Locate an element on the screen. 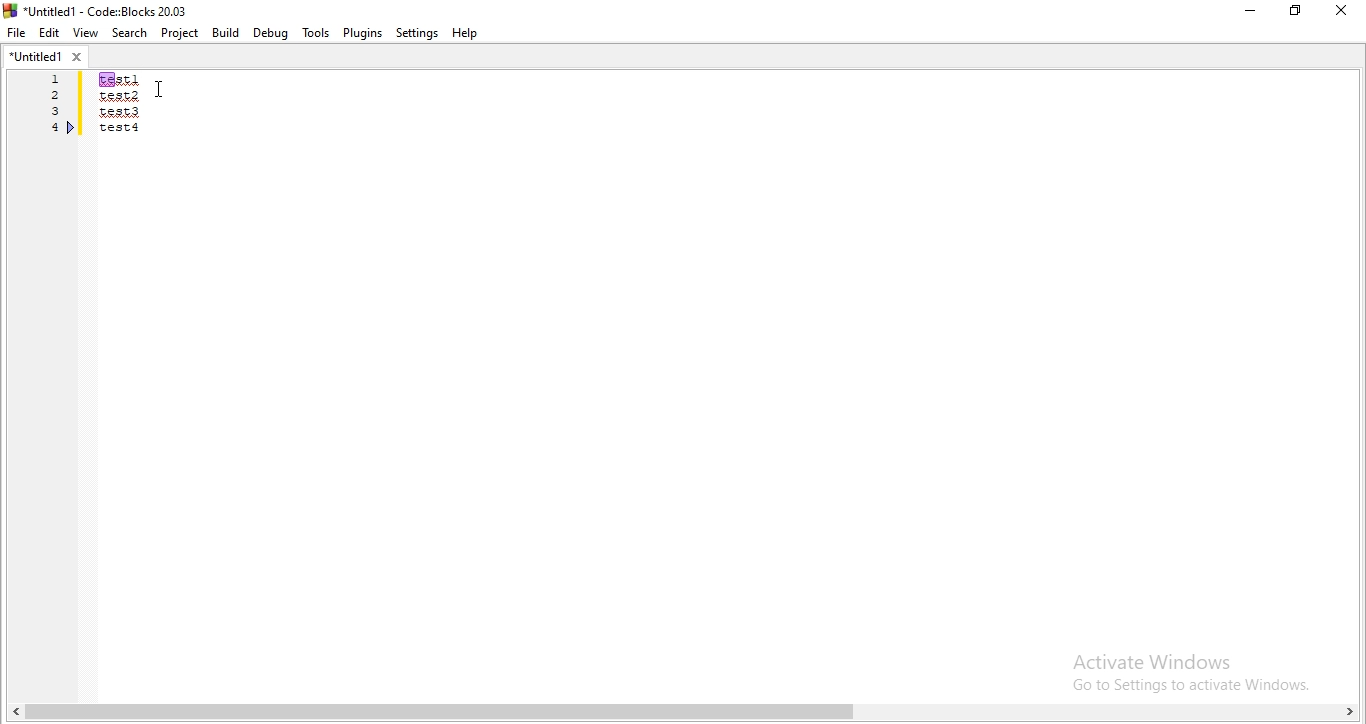 This screenshot has height=724, width=1366. Cursor is located at coordinates (163, 89).